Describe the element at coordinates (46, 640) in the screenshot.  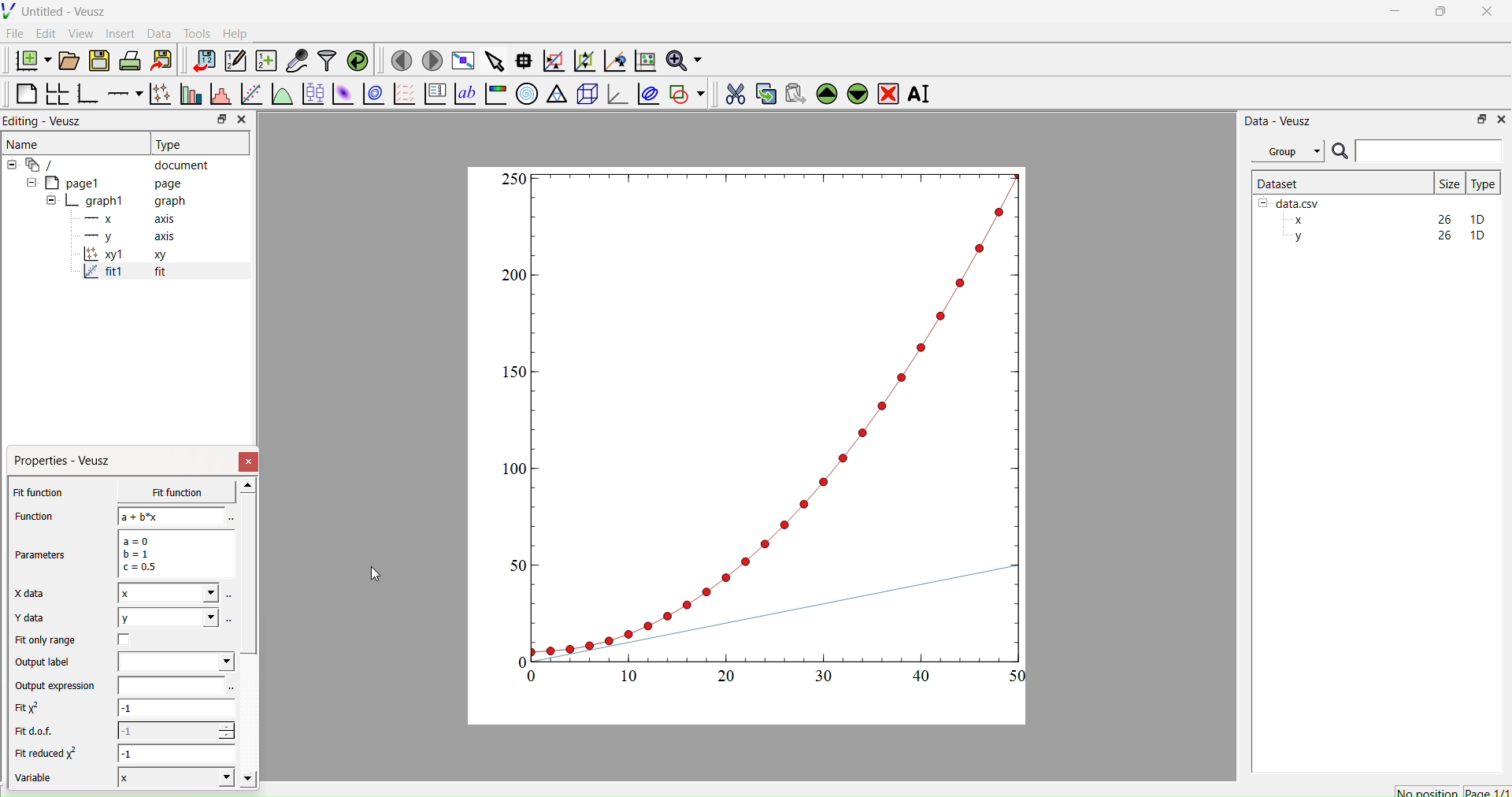
I see `Fit only range` at that location.